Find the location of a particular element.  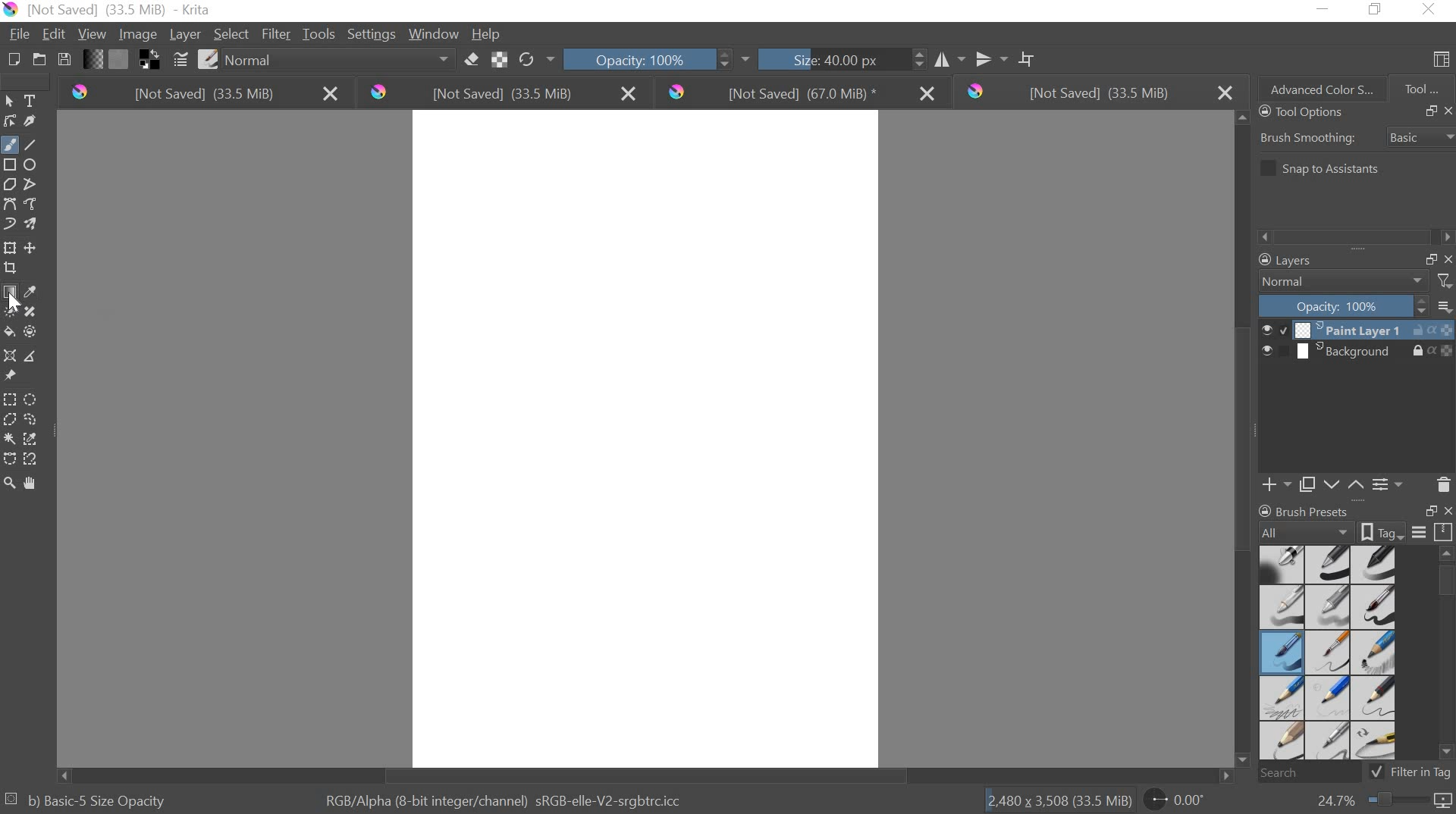

freehand is located at coordinates (9, 145).